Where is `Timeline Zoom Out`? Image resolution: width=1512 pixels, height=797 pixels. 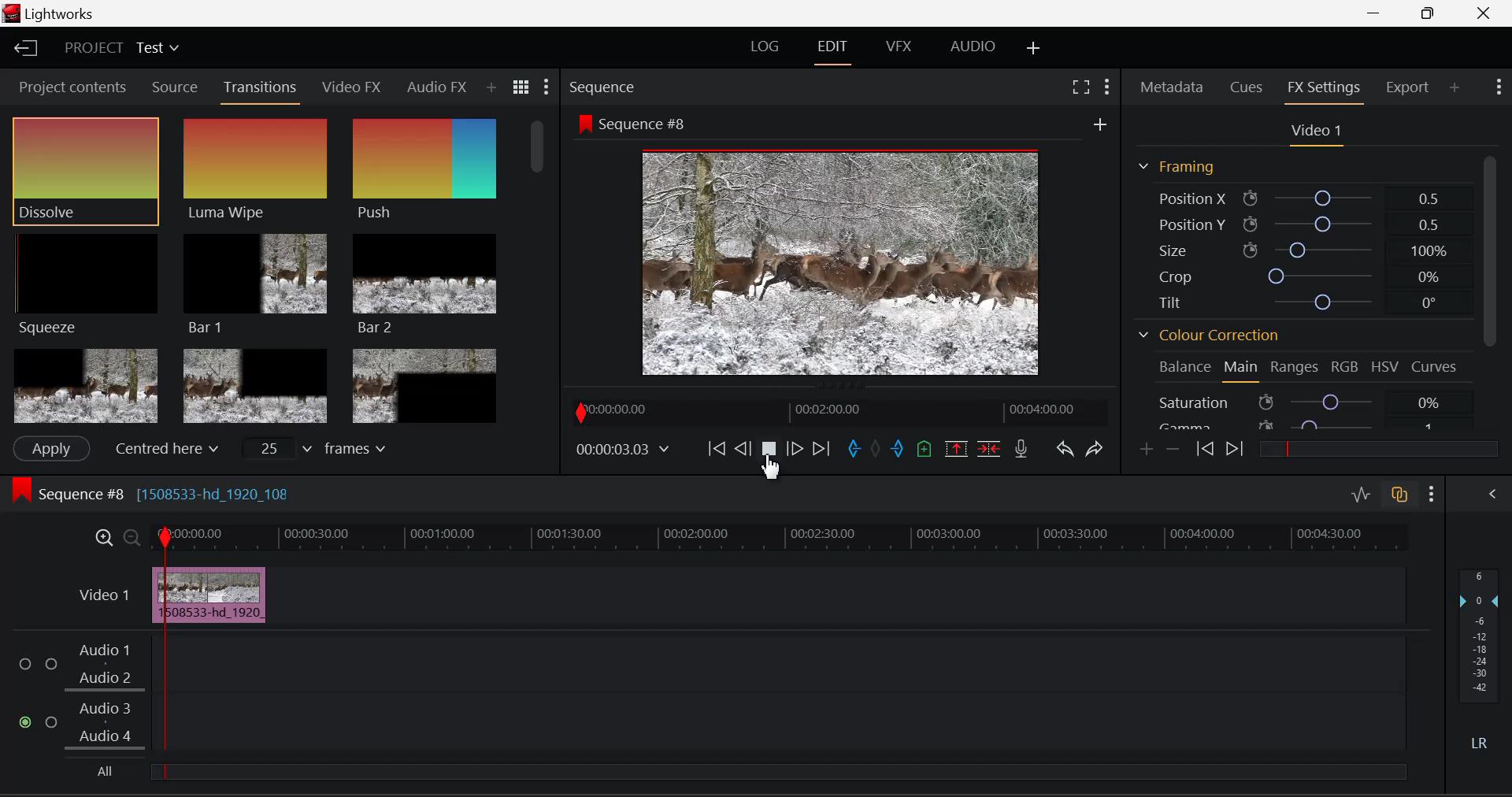
Timeline Zoom Out is located at coordinates (129, 535).